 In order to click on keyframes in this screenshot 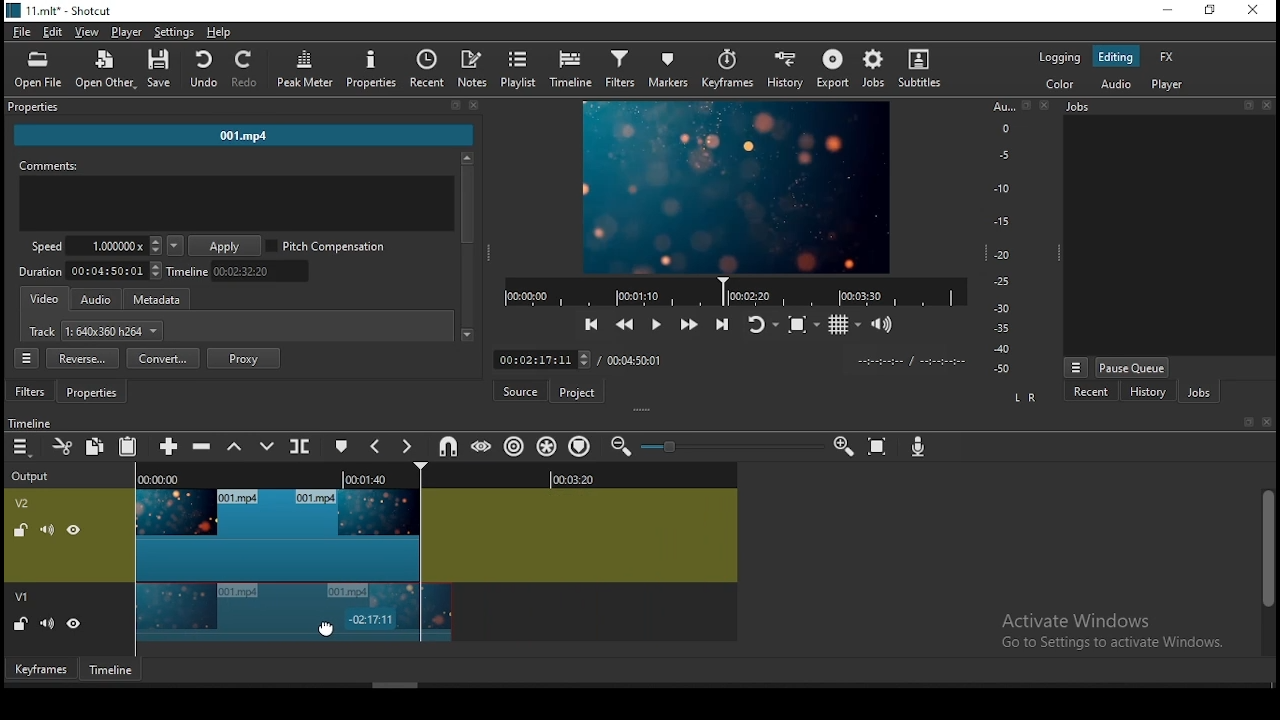, I will do `click(730, 70)`.